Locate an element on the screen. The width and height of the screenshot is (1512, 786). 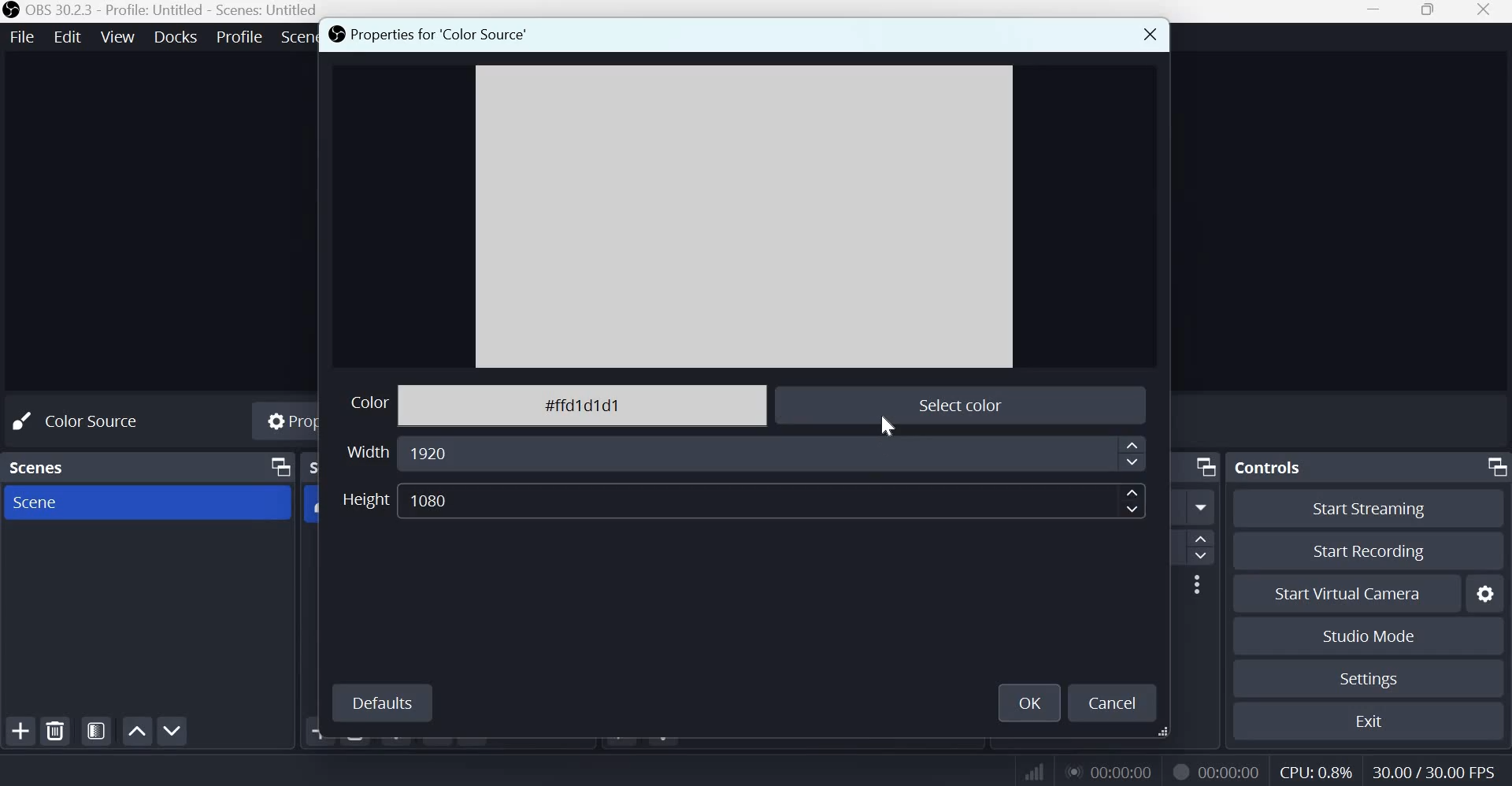
Dock Options icon is located at coordinates (1493, 465).